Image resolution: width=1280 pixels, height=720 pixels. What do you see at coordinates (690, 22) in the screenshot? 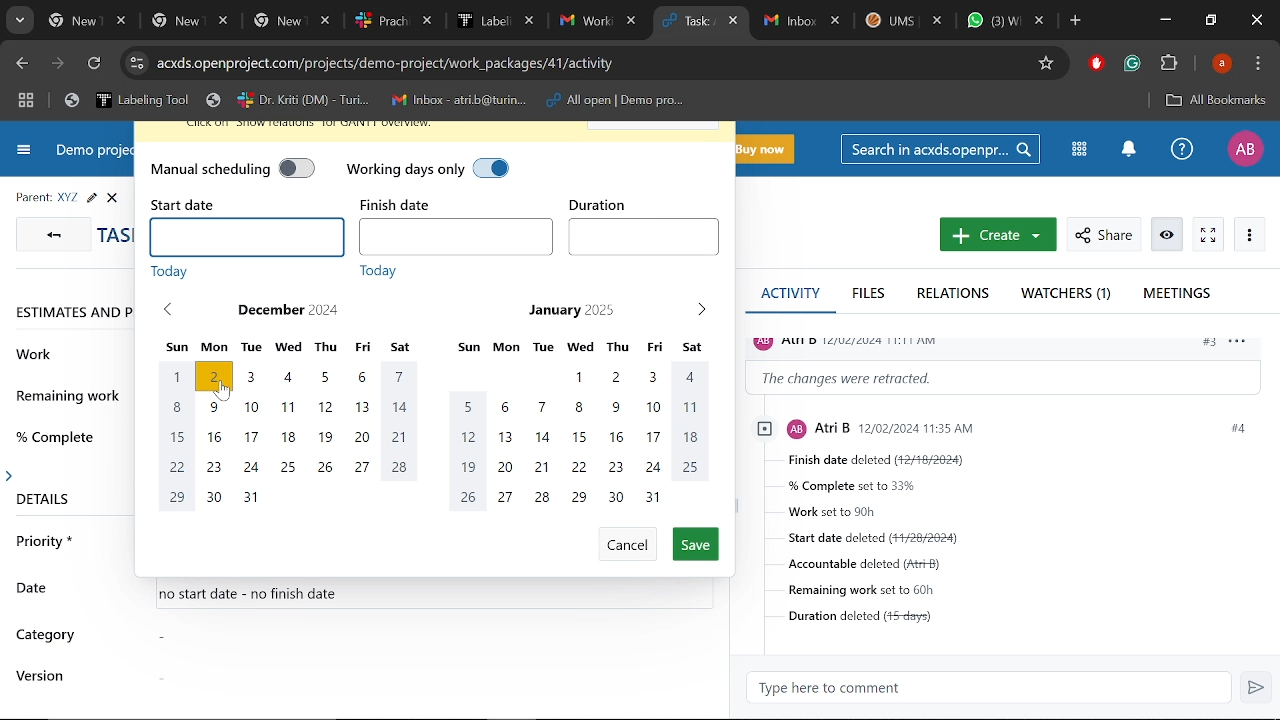
I see `Current tab` at bounding box center [690, 22].